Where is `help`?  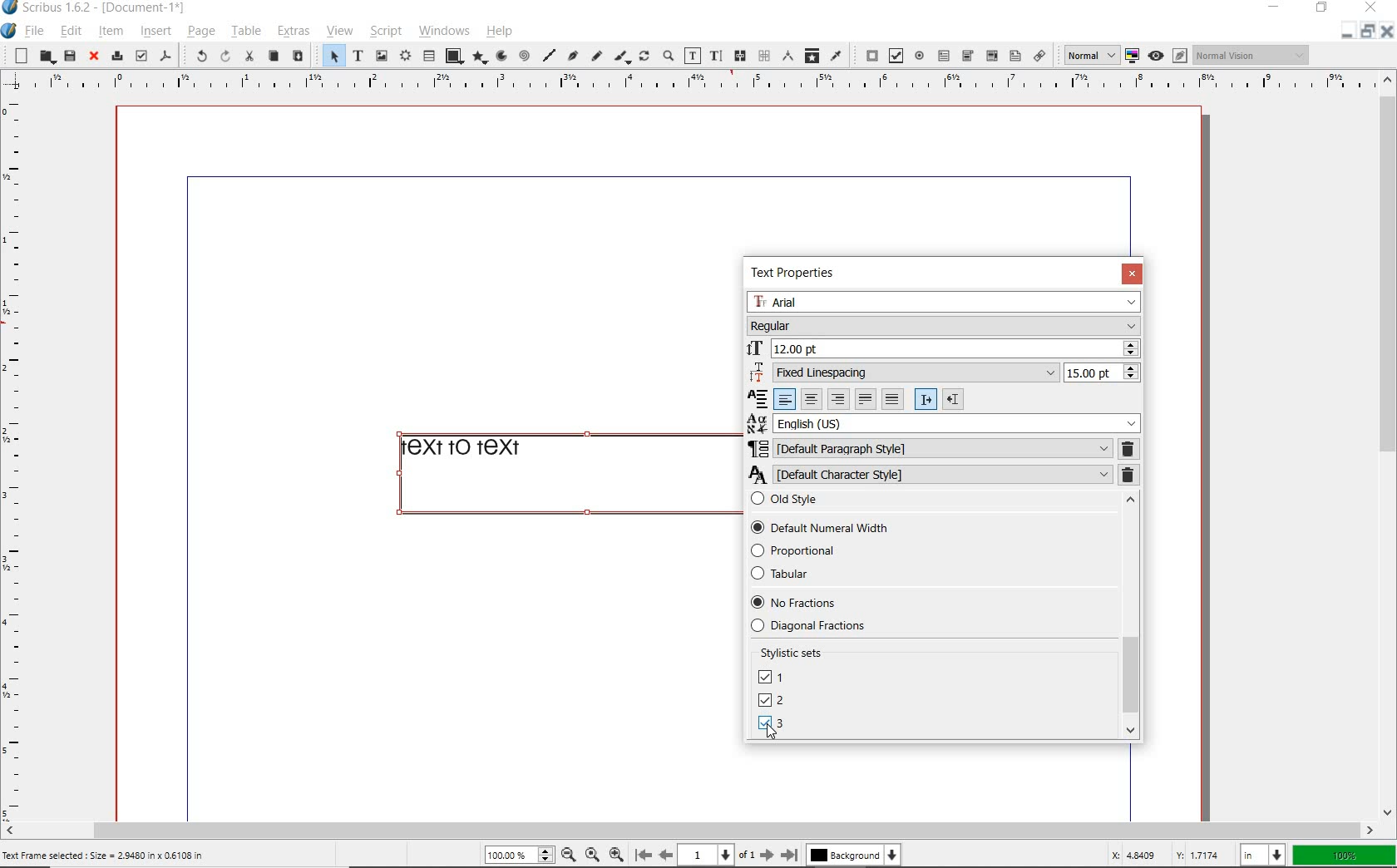 help is located at coordinates (503, 31).